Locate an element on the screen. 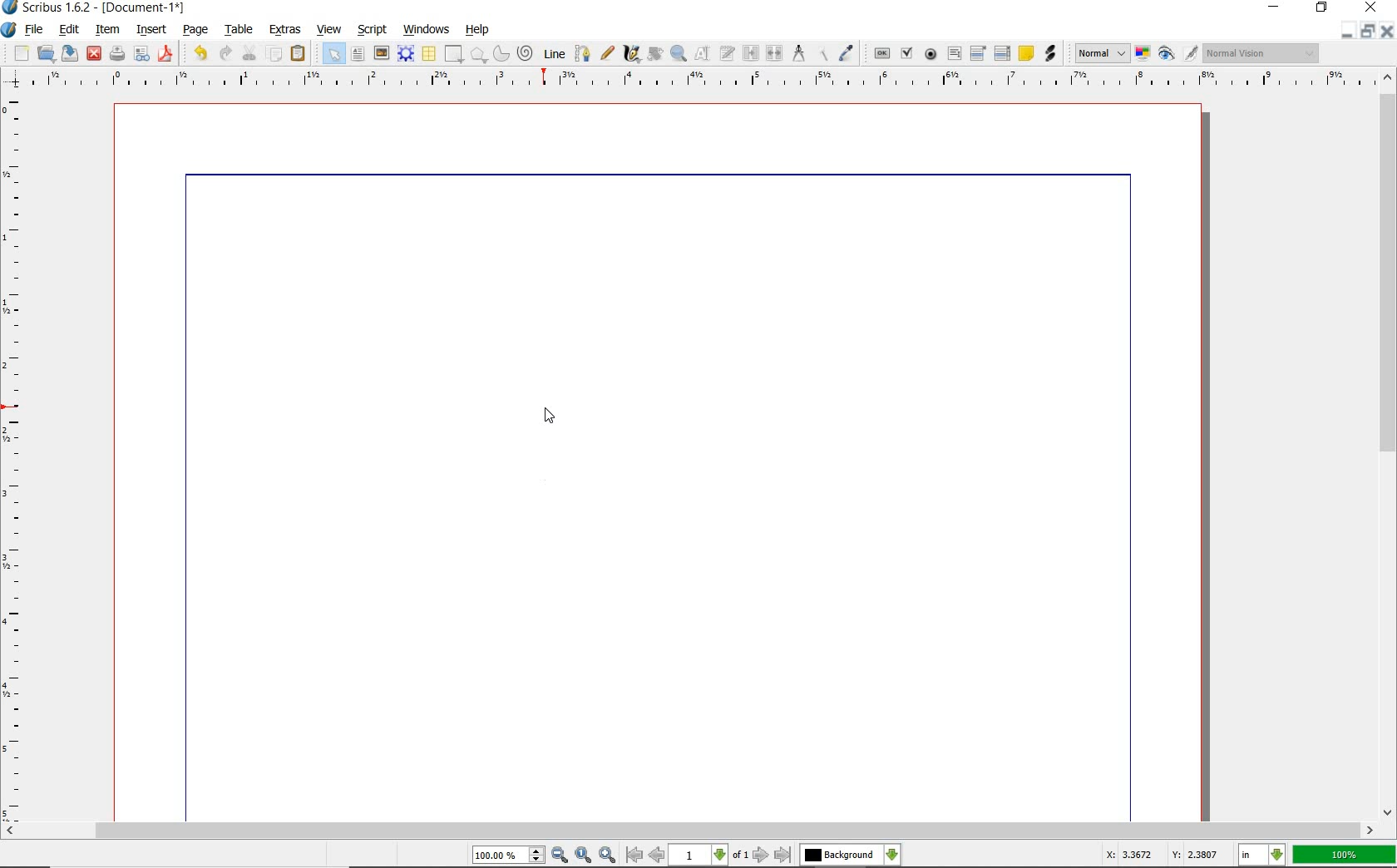 This screenshot has width=1397, height=868. table is located at coordinates (240, 31).